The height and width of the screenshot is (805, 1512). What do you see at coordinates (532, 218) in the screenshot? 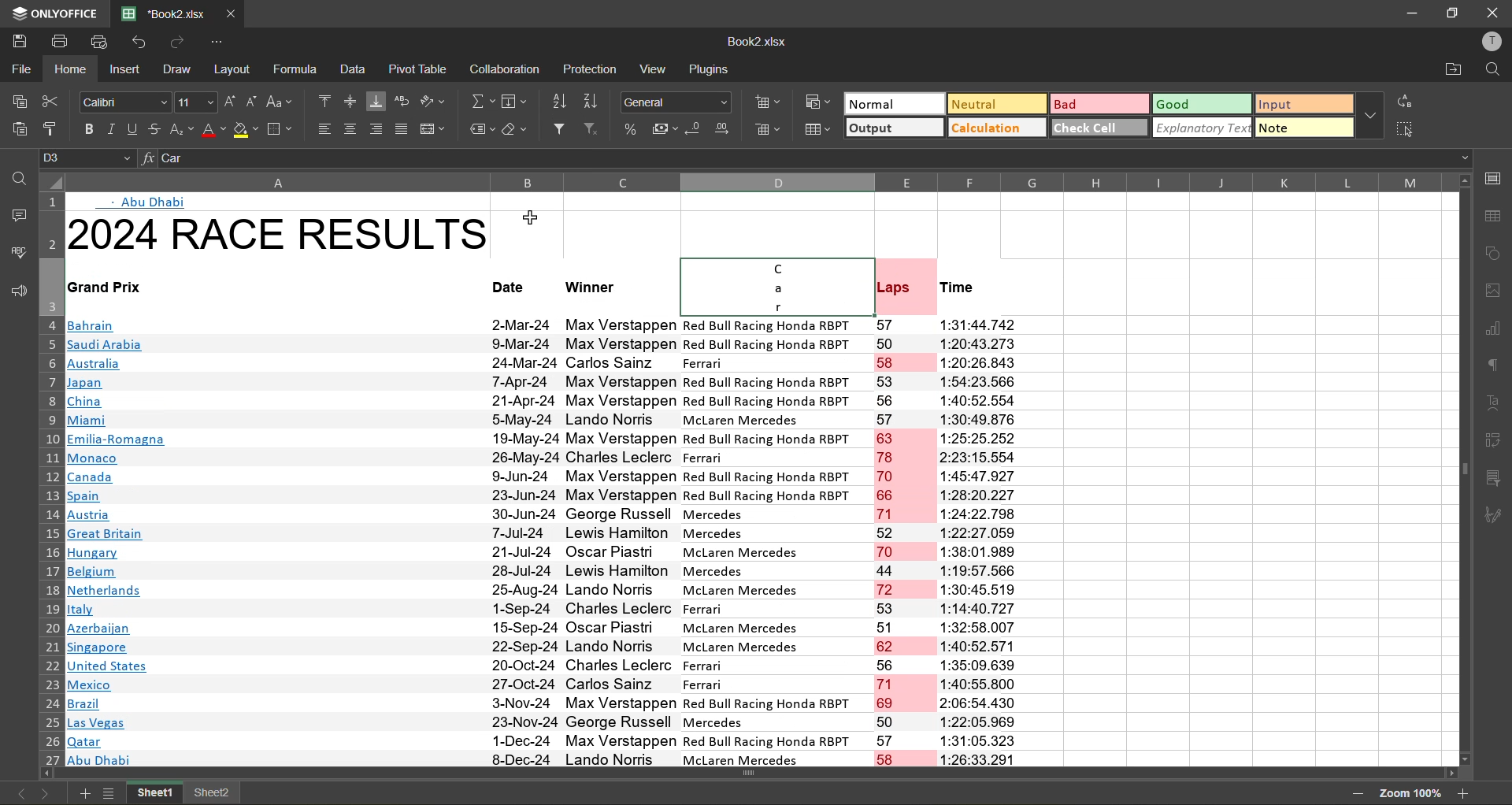
I see `cursor` at bounding box center [532, 218].